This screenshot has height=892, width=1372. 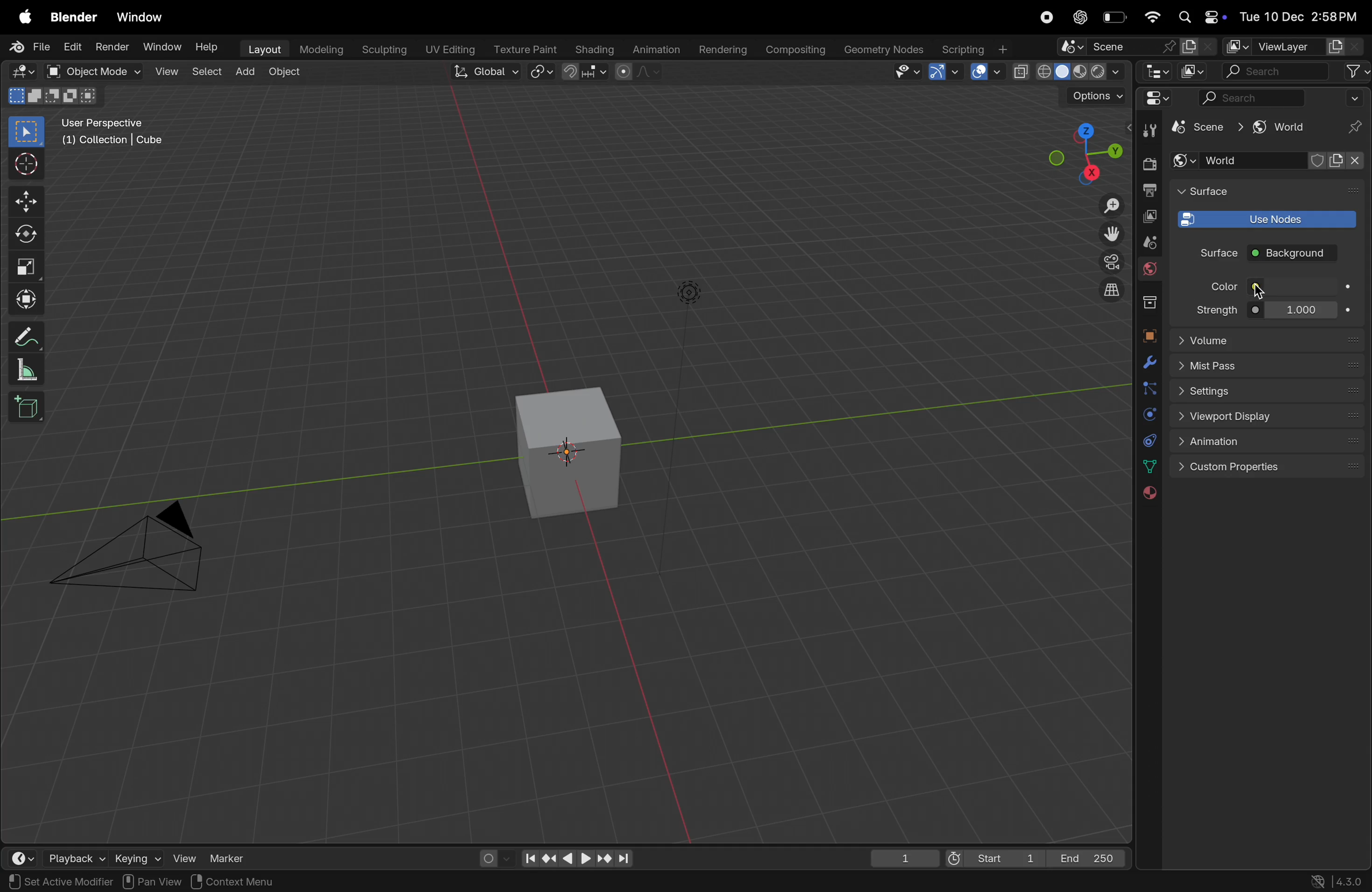 I want to click on mist pass, so click(x=1269, y=366).